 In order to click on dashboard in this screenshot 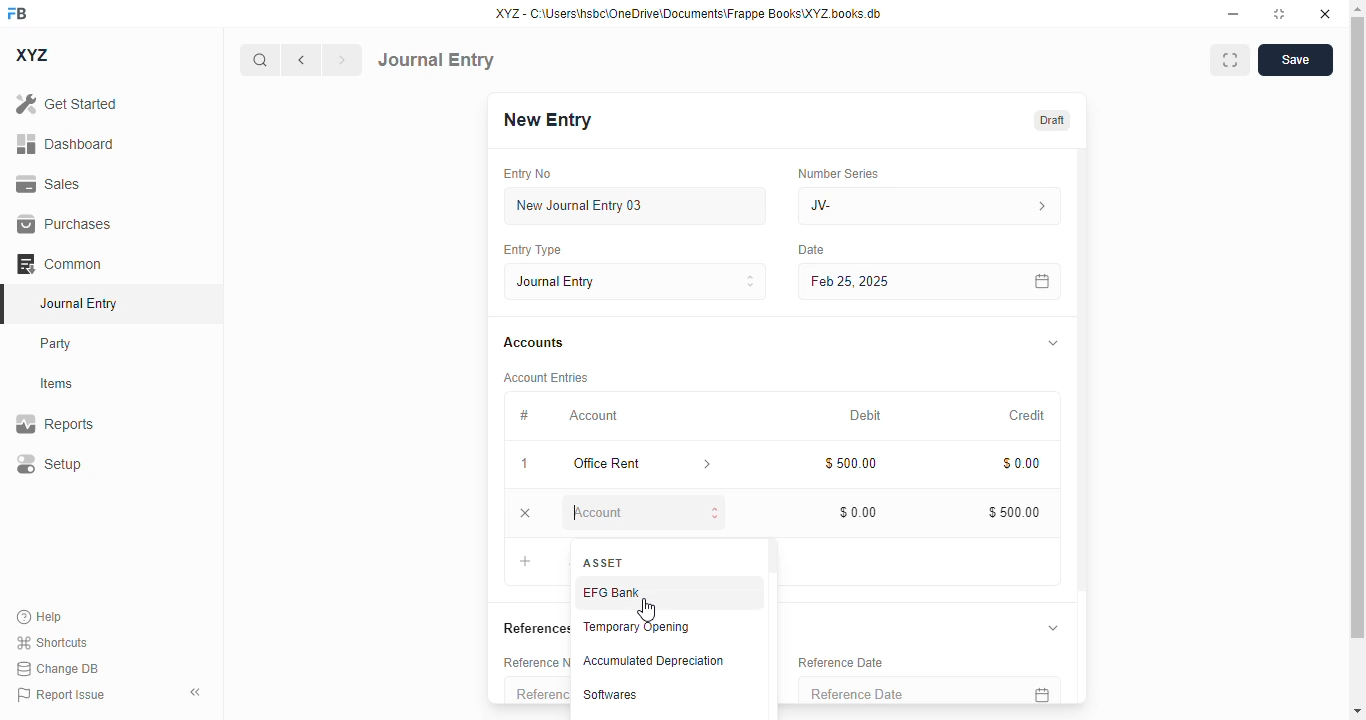, I will do `click(66, 144)`.